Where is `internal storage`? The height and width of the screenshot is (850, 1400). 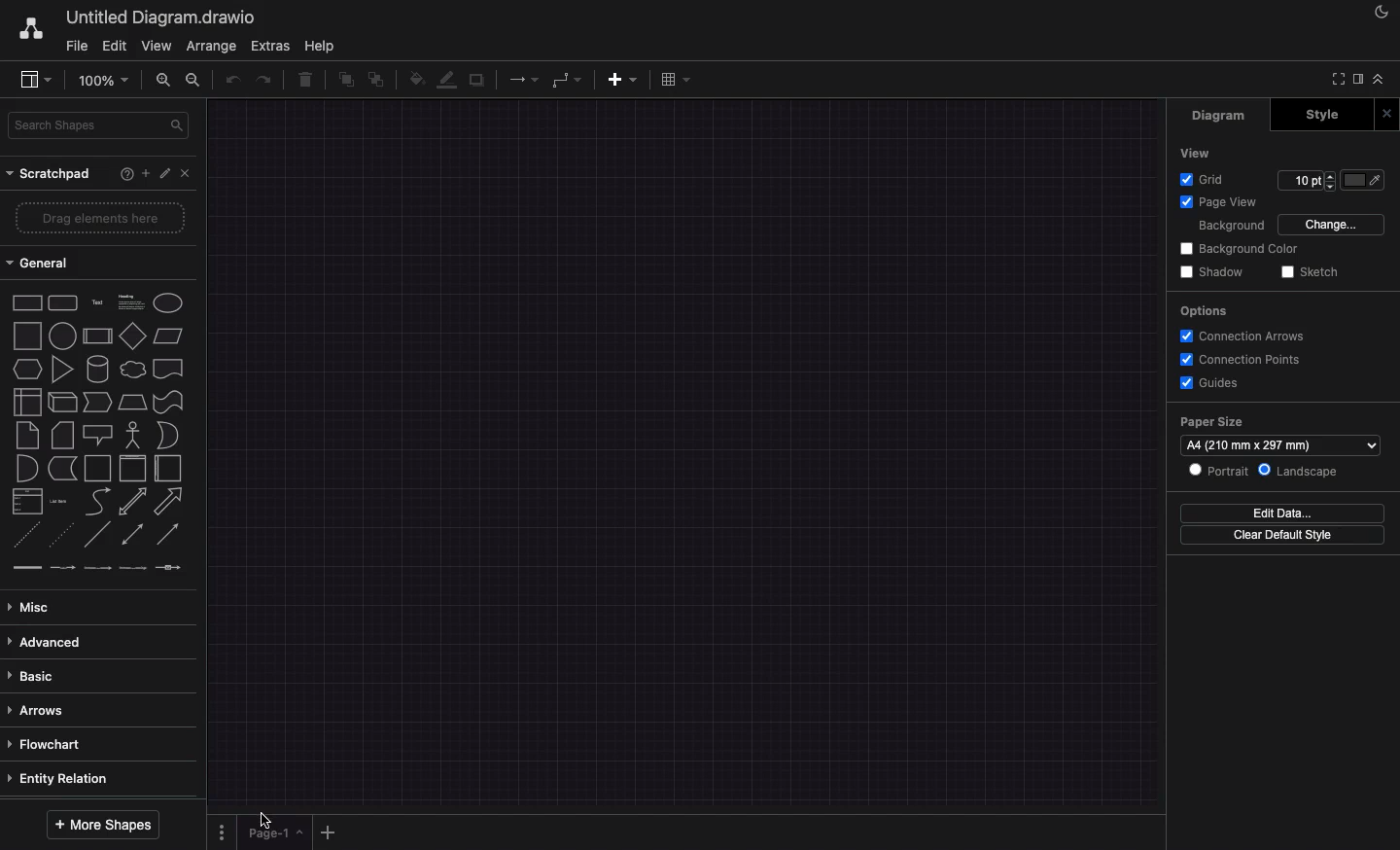
internal storage is located at coordinates (28, 402).